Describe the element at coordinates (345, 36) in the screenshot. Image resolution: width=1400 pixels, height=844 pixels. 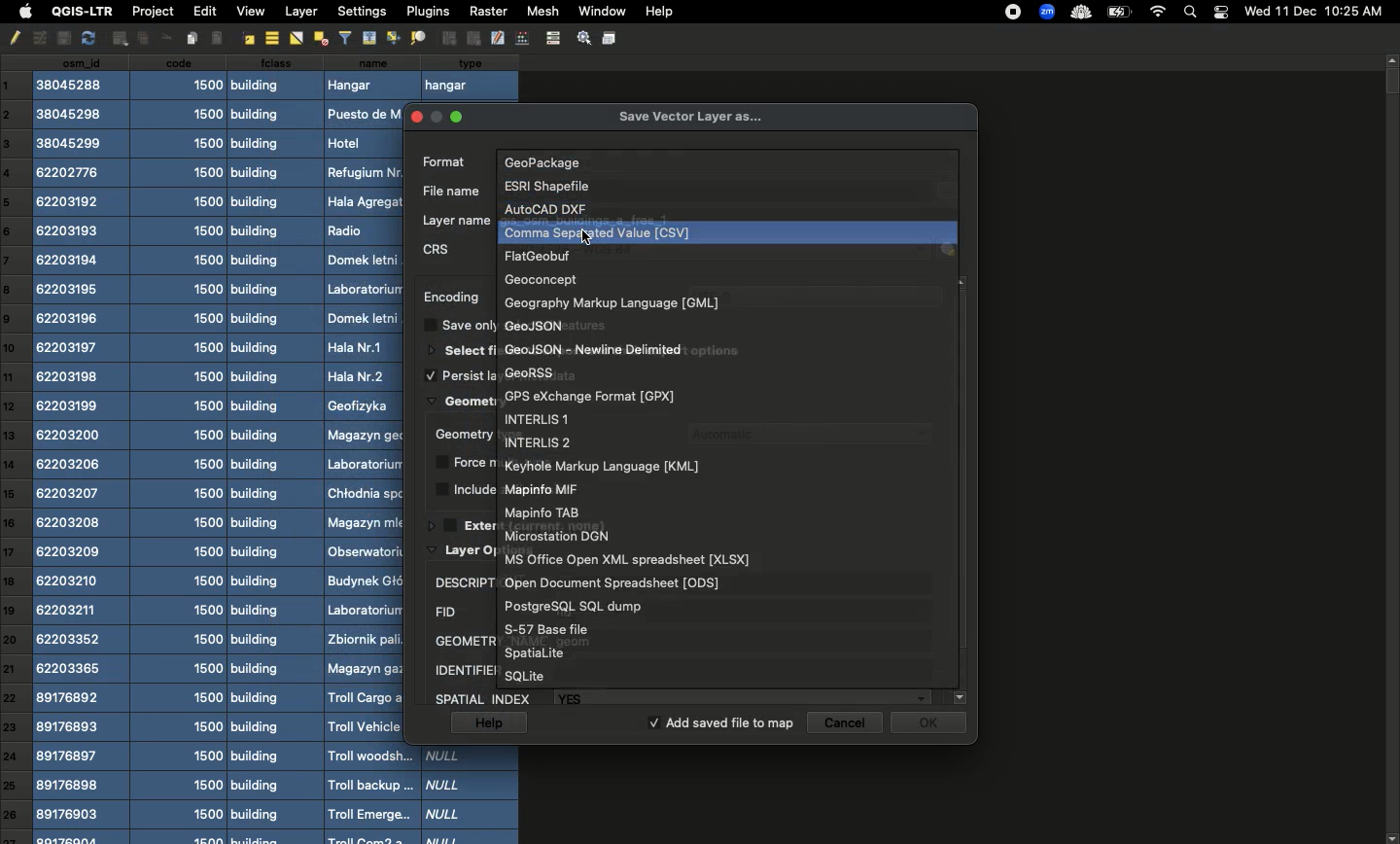
I see `filters` at that location.